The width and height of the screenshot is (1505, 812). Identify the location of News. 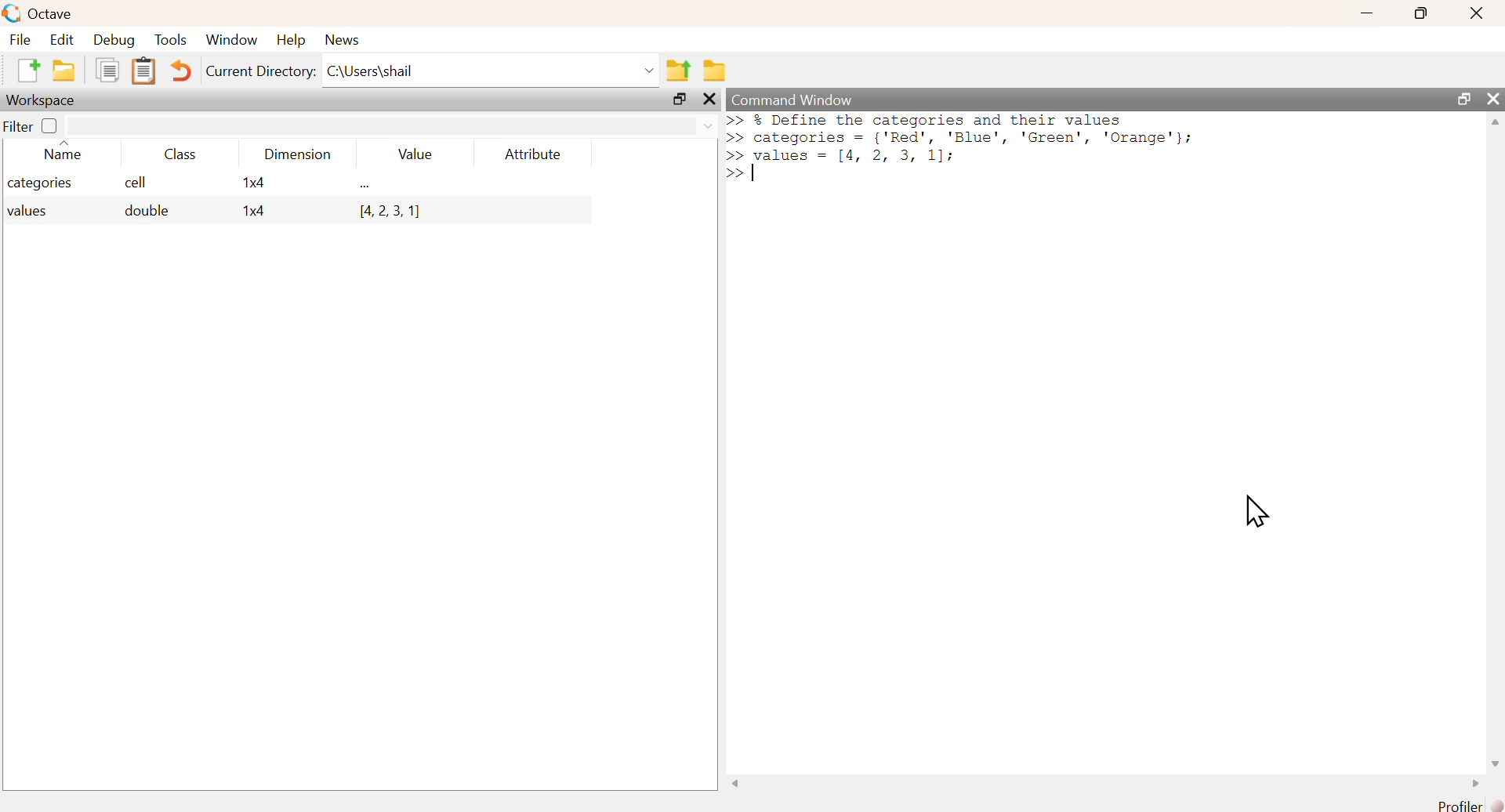
(343, 40).